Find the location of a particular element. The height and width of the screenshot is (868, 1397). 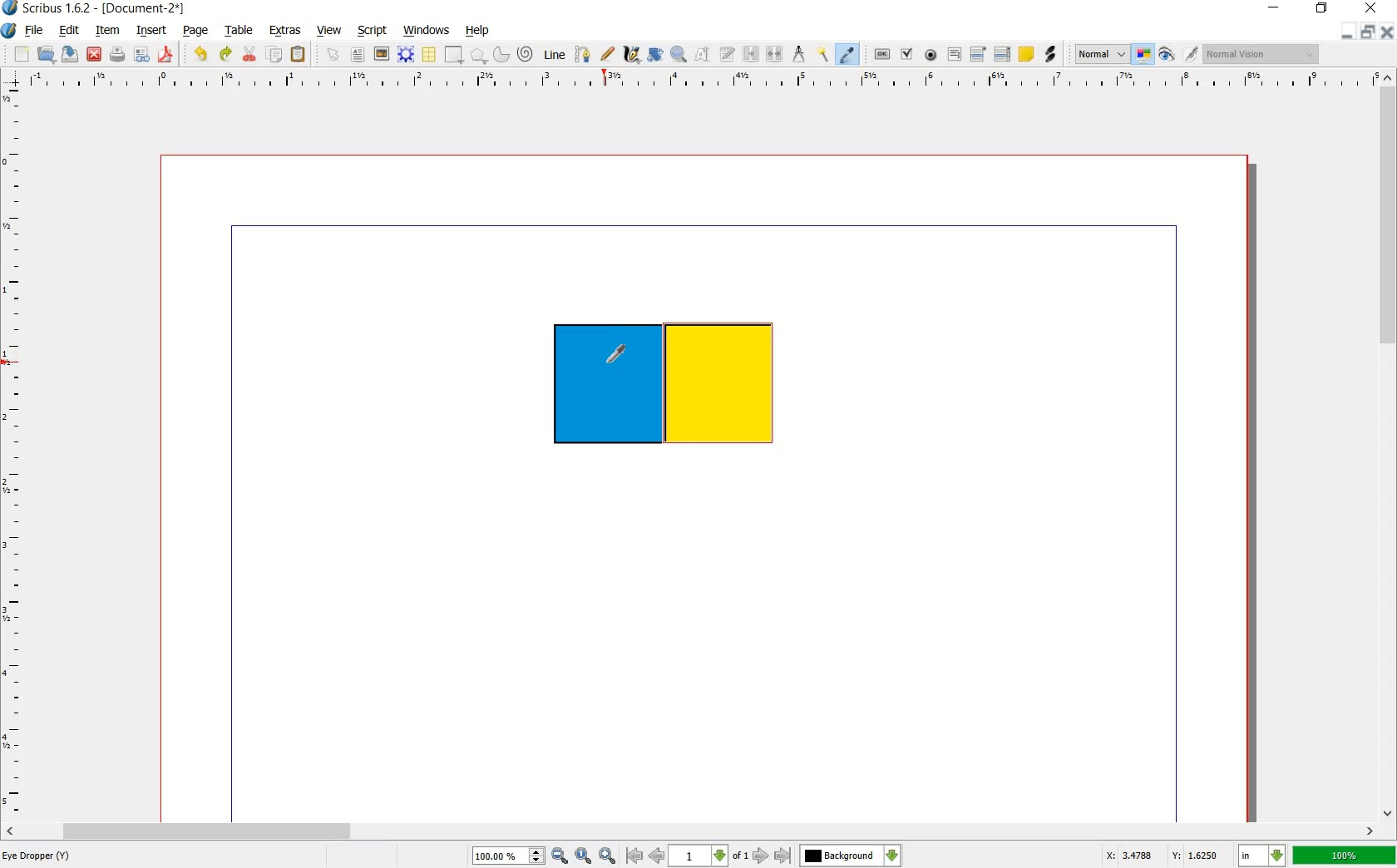

arc is located at coordinates (501, 55).